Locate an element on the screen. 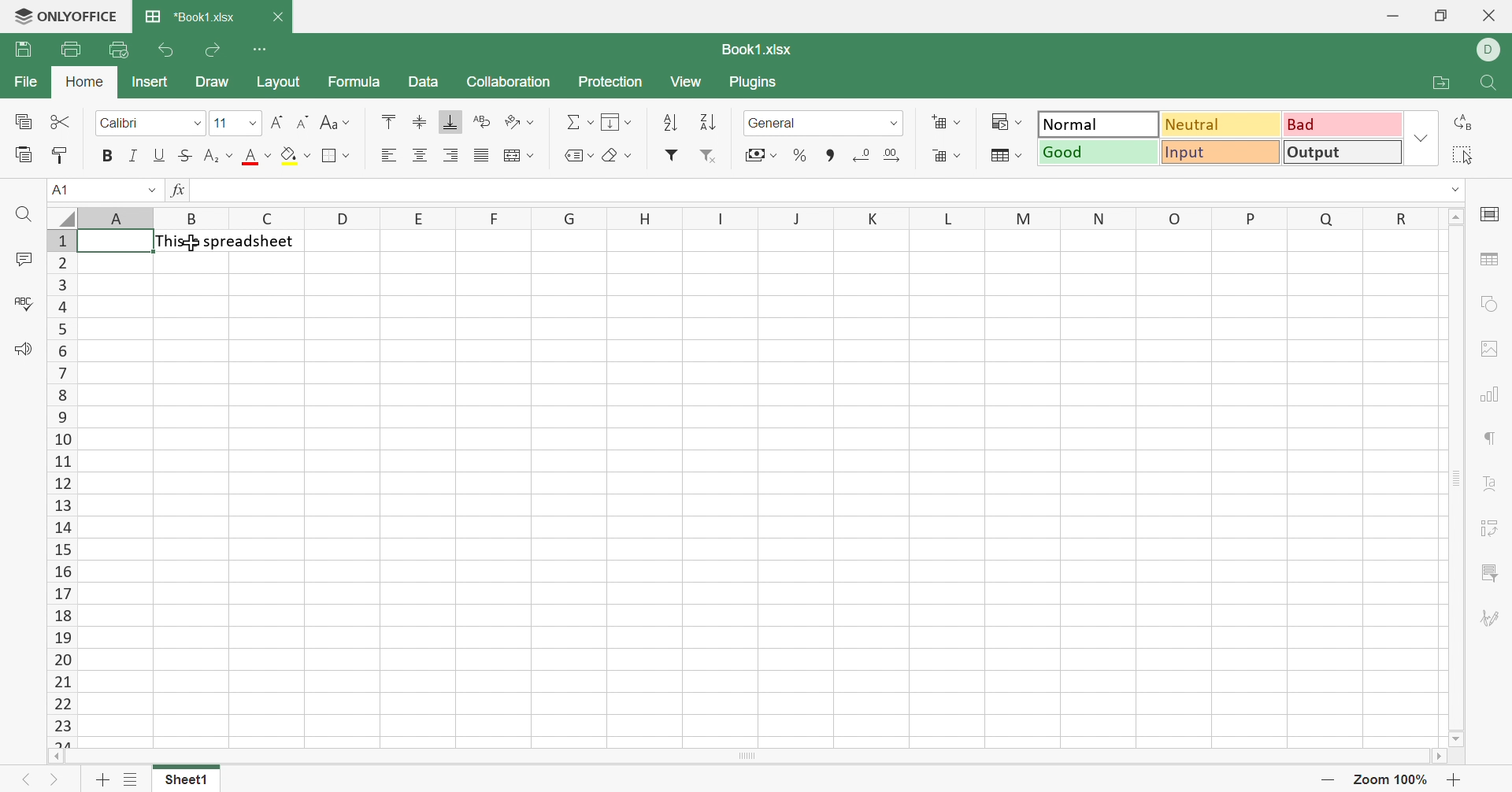  Strikethrough is located at coordinates (187, 154).